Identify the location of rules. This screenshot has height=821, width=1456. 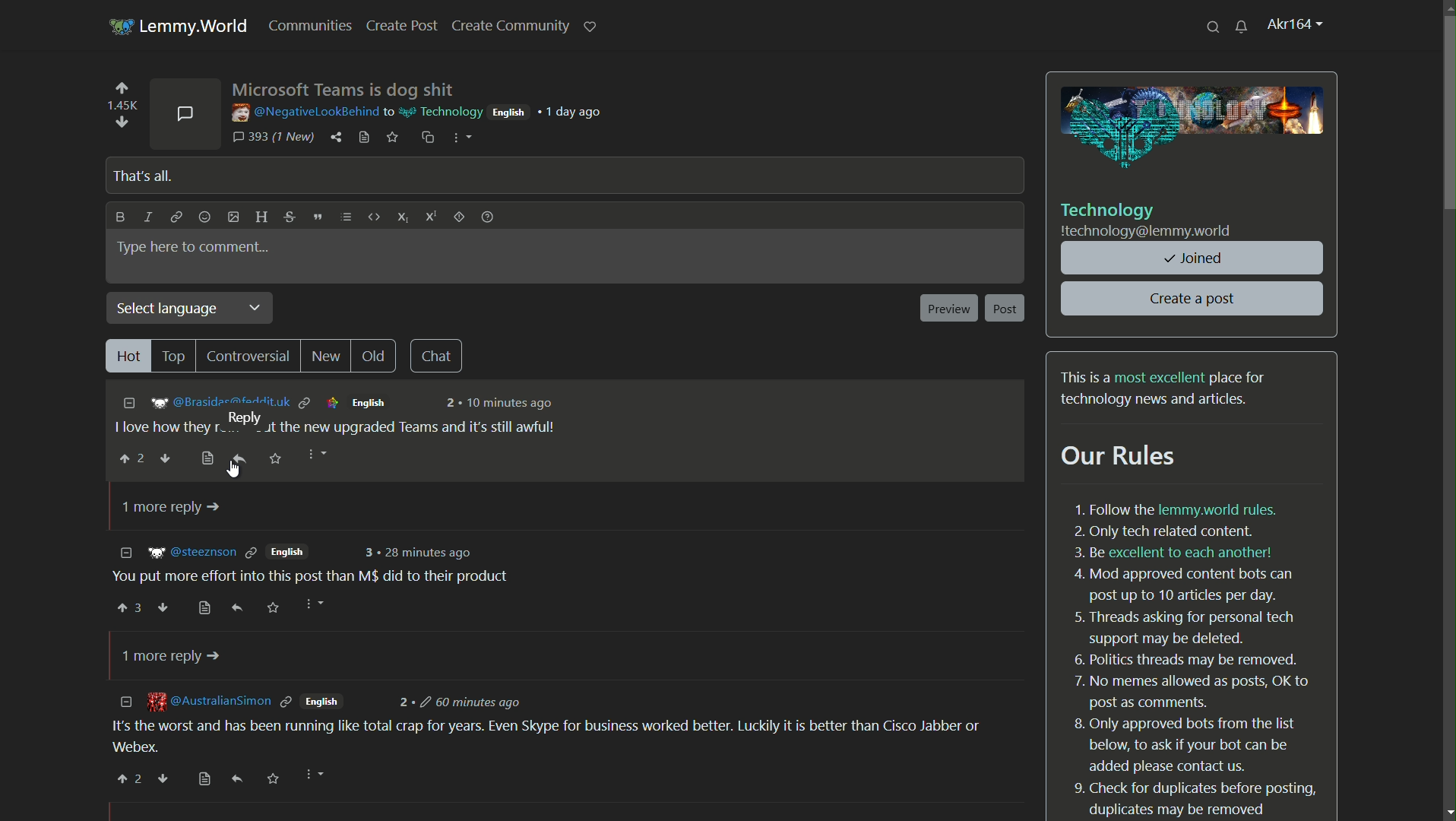
(1194, 658).